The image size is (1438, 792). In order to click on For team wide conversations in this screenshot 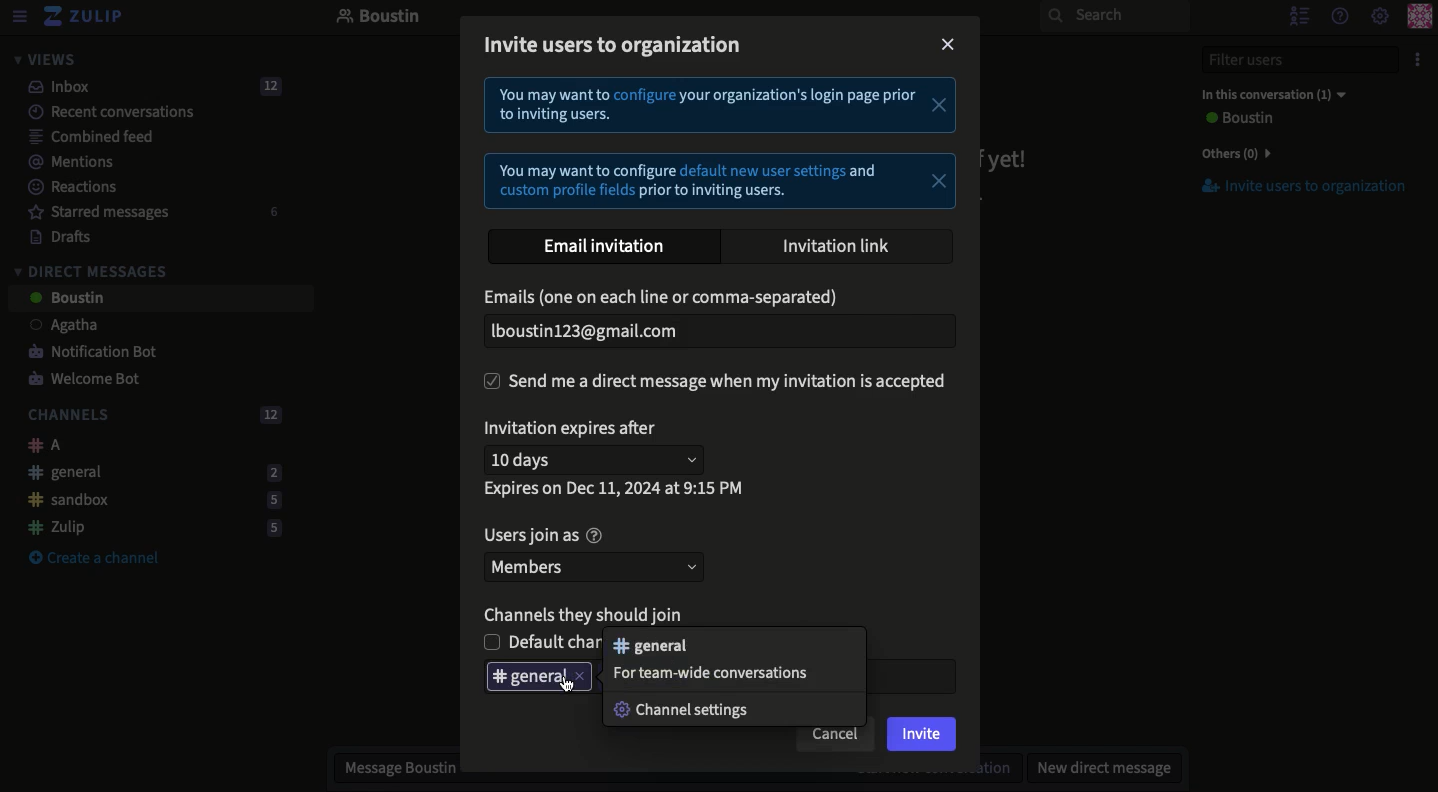, I will do `click(713, 672)`.